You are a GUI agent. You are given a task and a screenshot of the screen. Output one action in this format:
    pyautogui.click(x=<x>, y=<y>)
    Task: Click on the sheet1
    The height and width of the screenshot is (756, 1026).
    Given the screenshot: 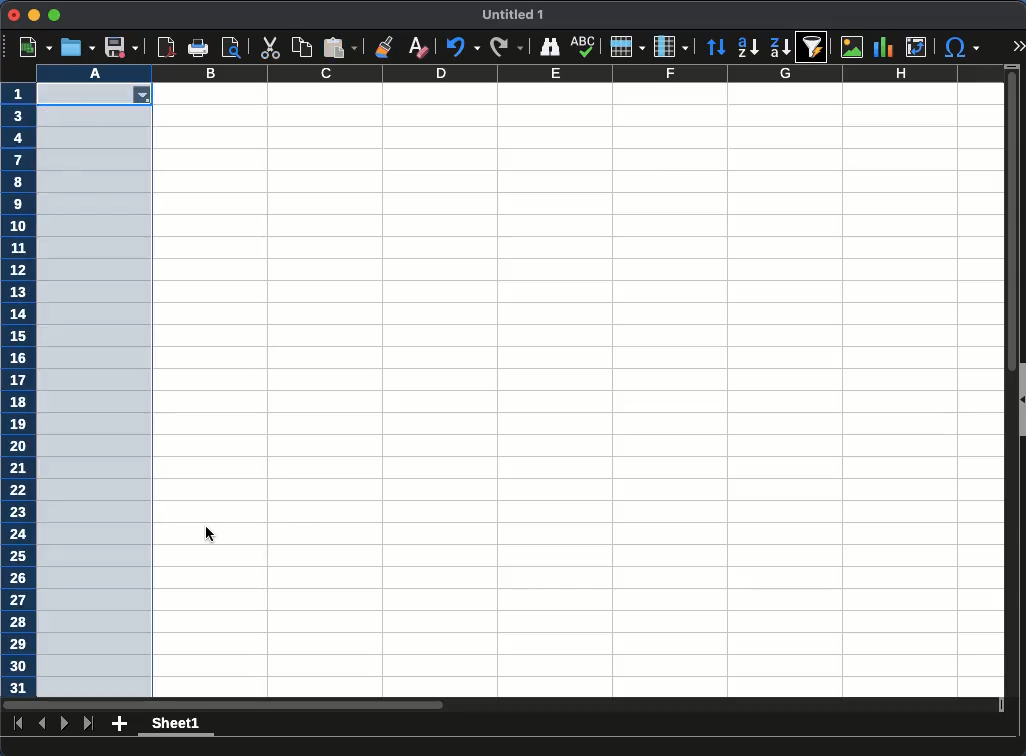 What is the action you would take?
    pyautogui.click(x=174, y=726)
    